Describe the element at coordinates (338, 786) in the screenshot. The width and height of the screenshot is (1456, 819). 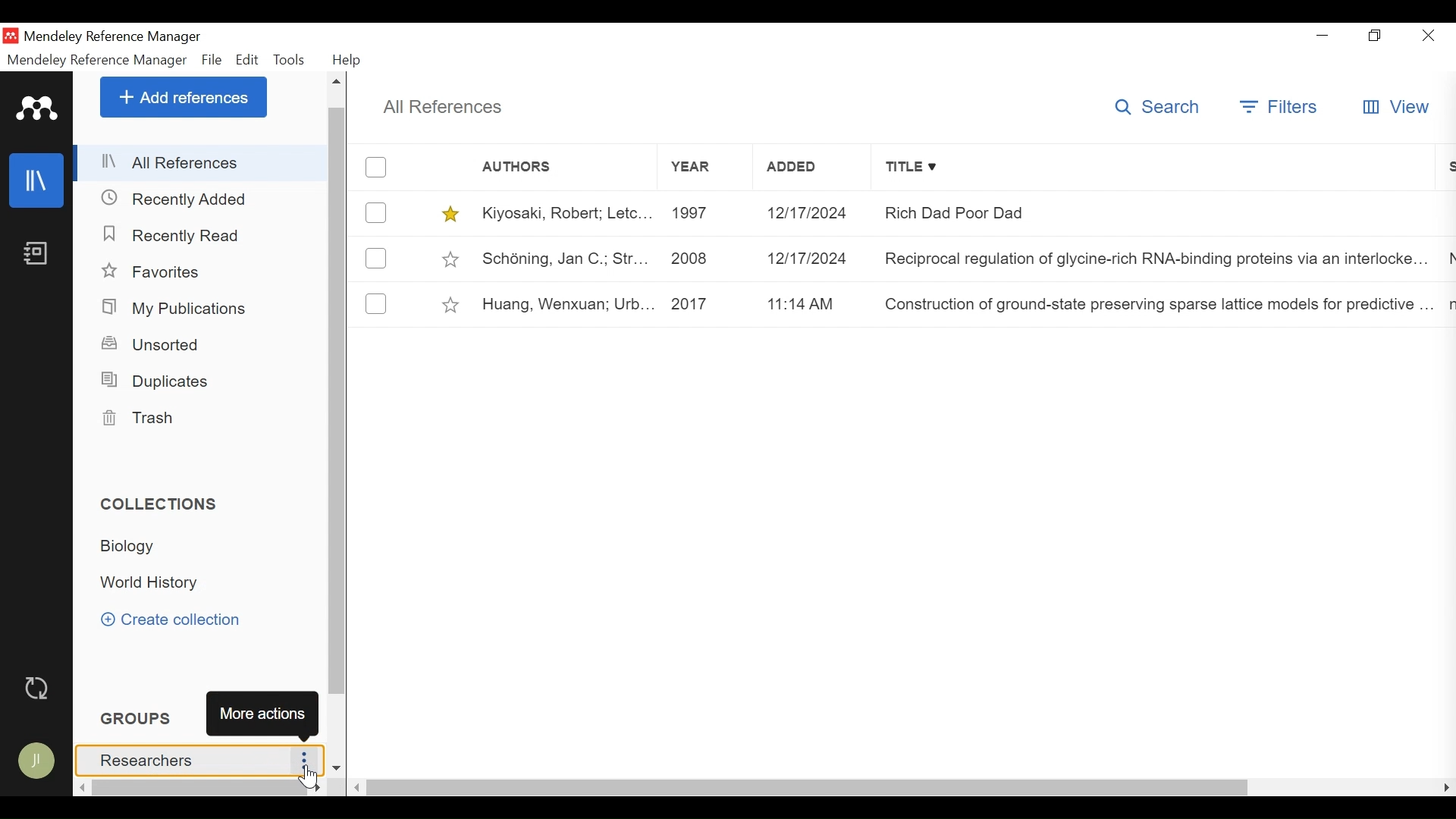
I see `Scroll down` at that location.